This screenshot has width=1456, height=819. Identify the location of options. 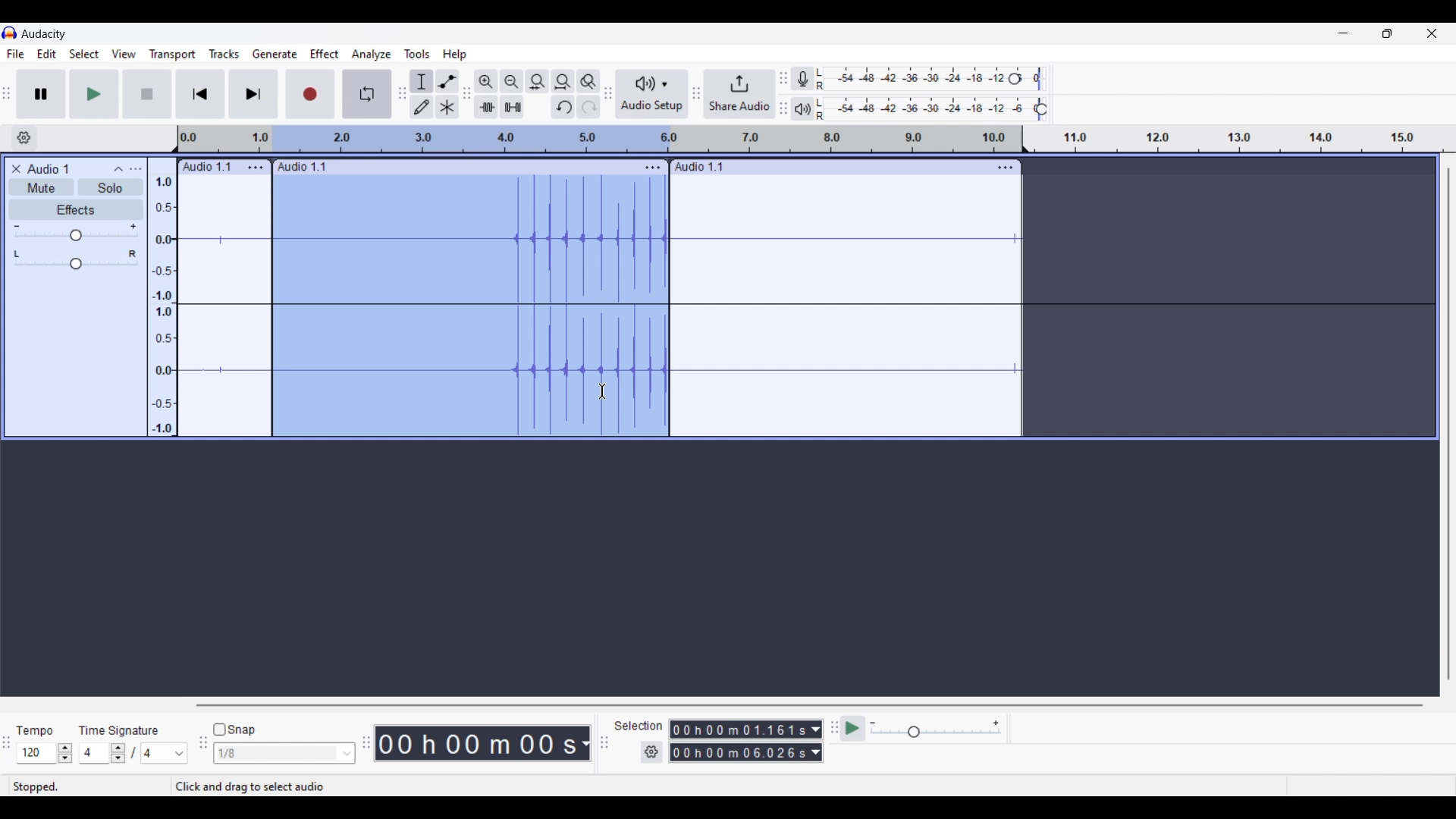
(1005, 169).